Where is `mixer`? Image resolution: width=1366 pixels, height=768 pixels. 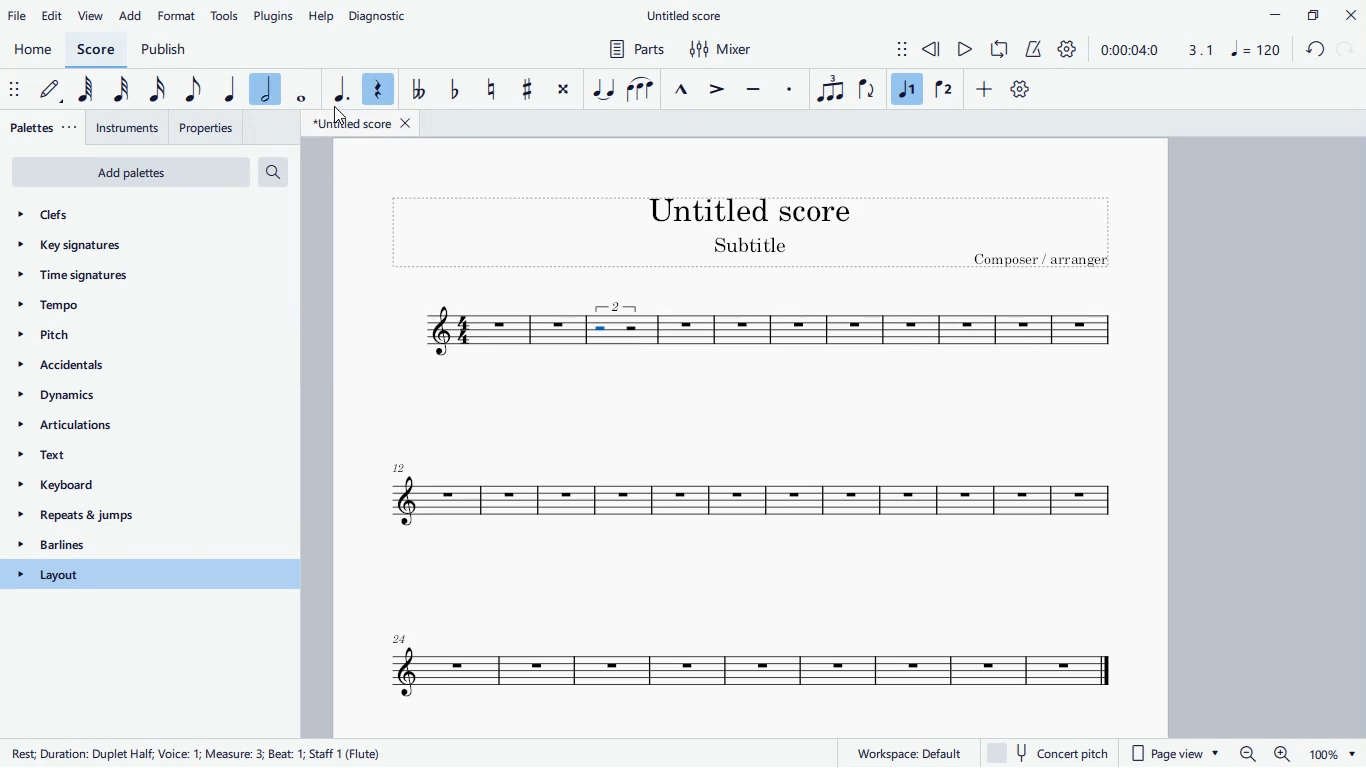
mixer is located at coordinates (723, 50).